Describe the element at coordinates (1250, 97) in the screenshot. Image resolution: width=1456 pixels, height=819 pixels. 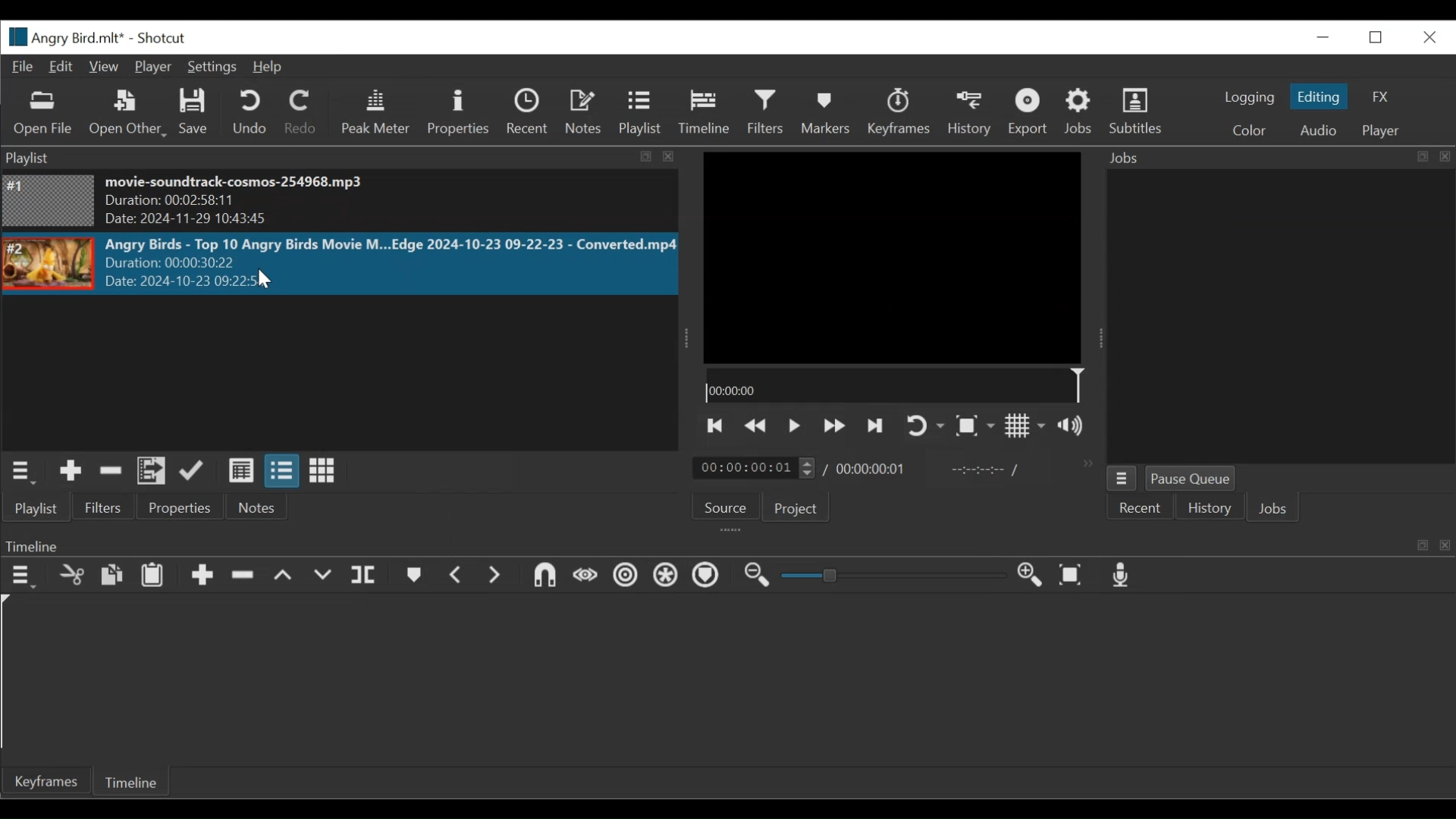
I see `logging` at that location.